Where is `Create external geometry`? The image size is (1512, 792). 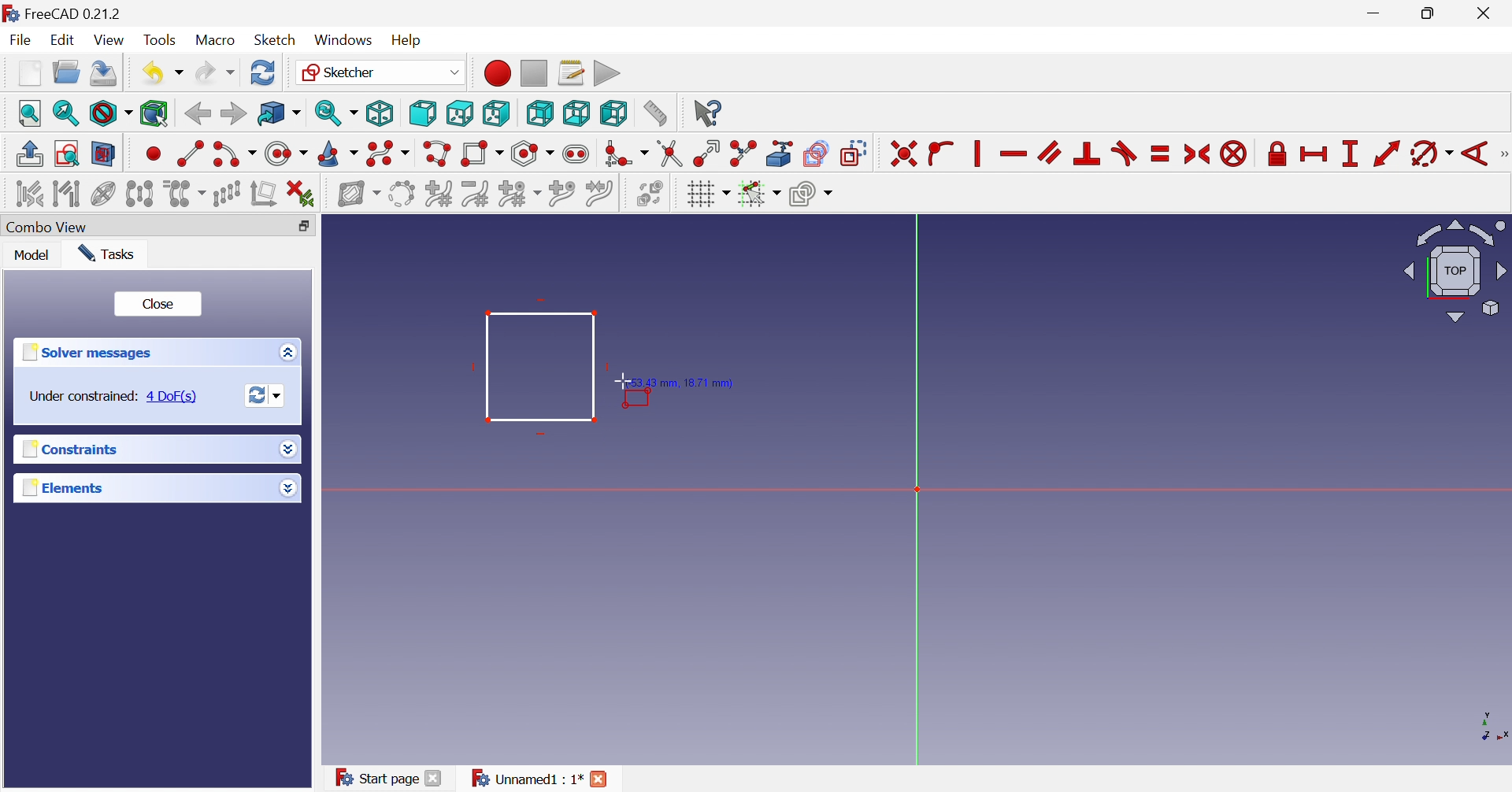 Create external geometry is located at coordinates (781, 153).